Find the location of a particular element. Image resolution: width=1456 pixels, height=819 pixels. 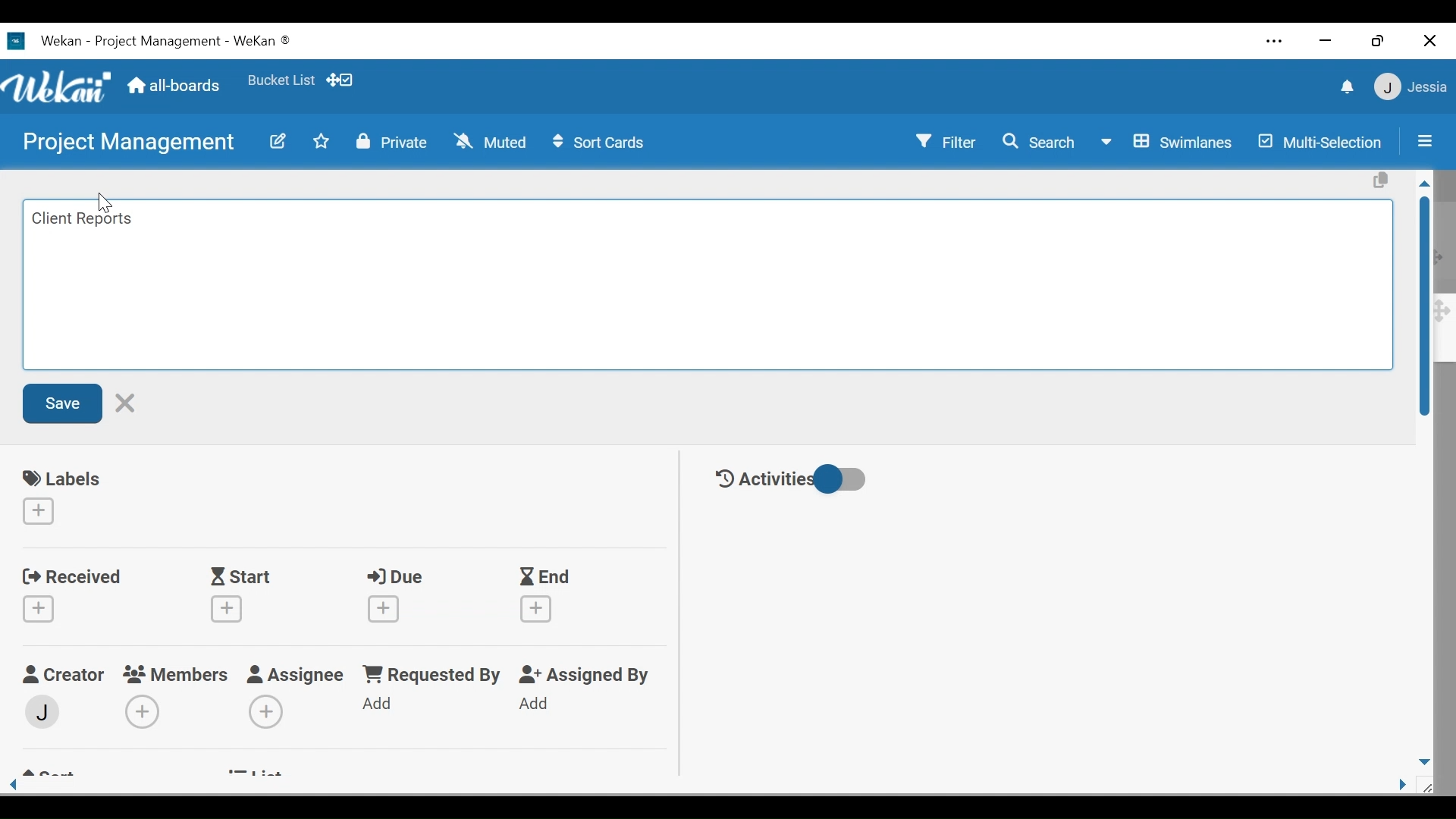

Add Requested By is located at coordinates (378, 704).